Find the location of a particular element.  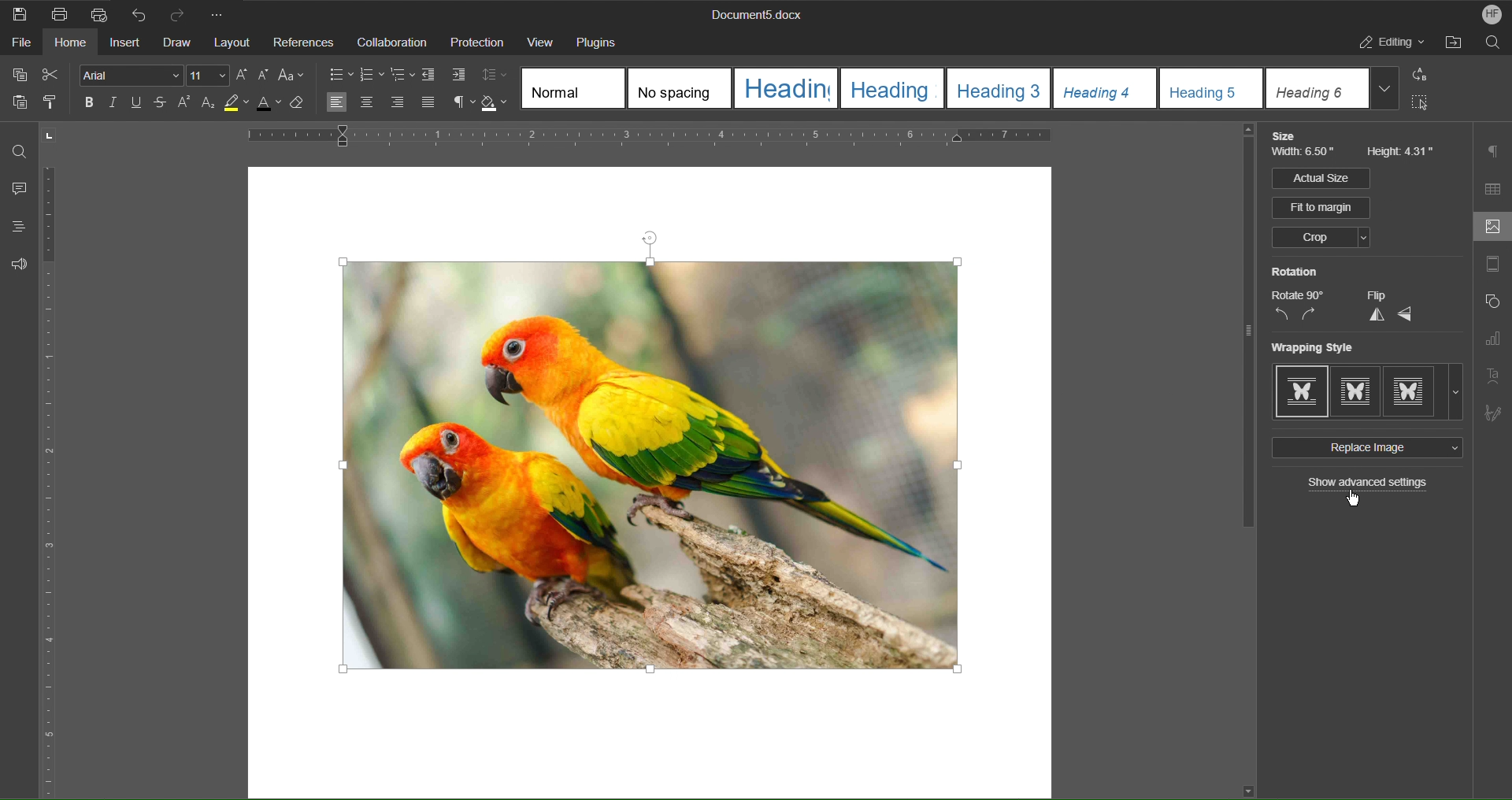

Paragraph Settings is located at coordinates (1495, 151).